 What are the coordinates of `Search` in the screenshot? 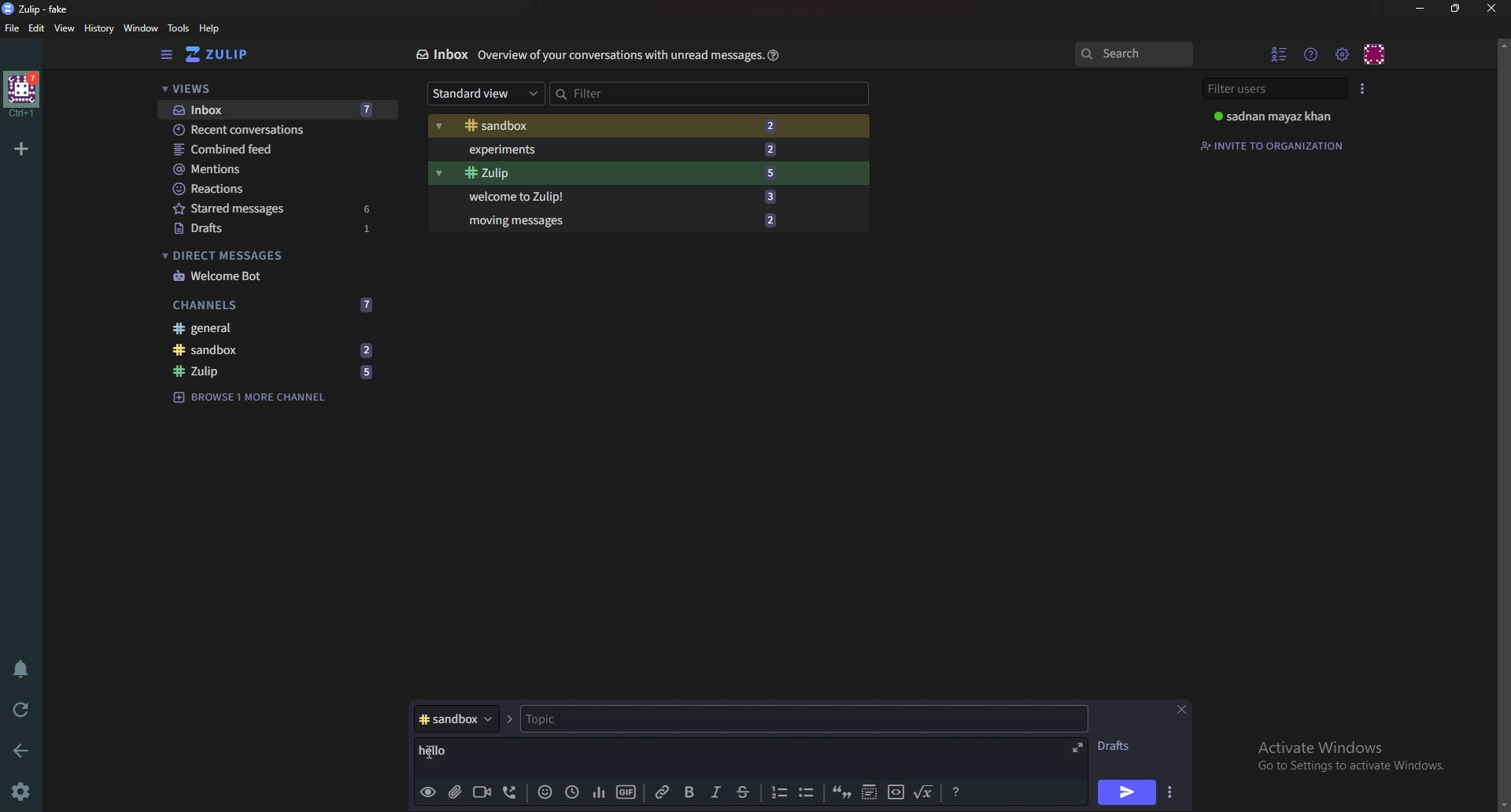 It's located at (1136, 54).